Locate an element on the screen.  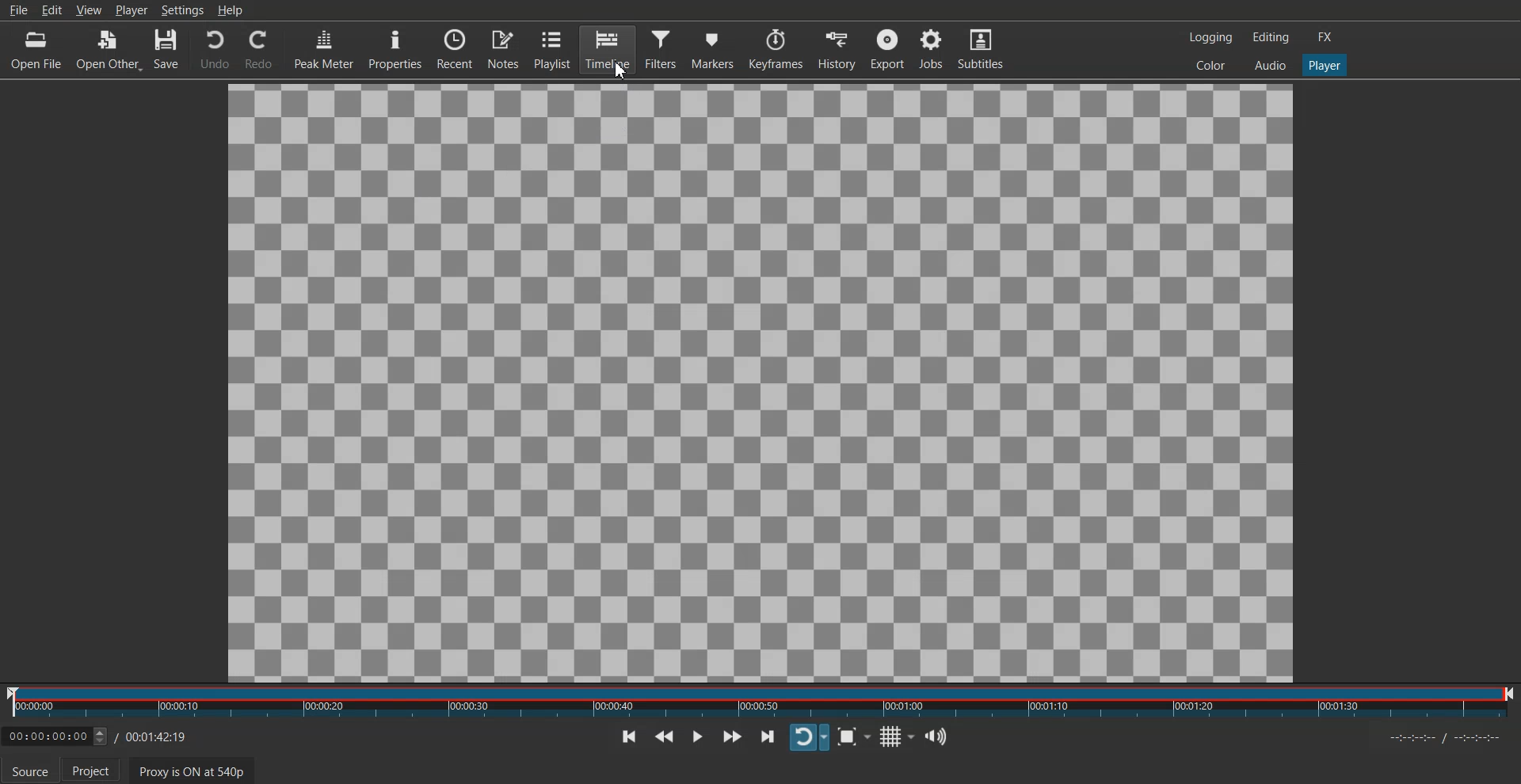
Project is located at coordinates (92, 771).